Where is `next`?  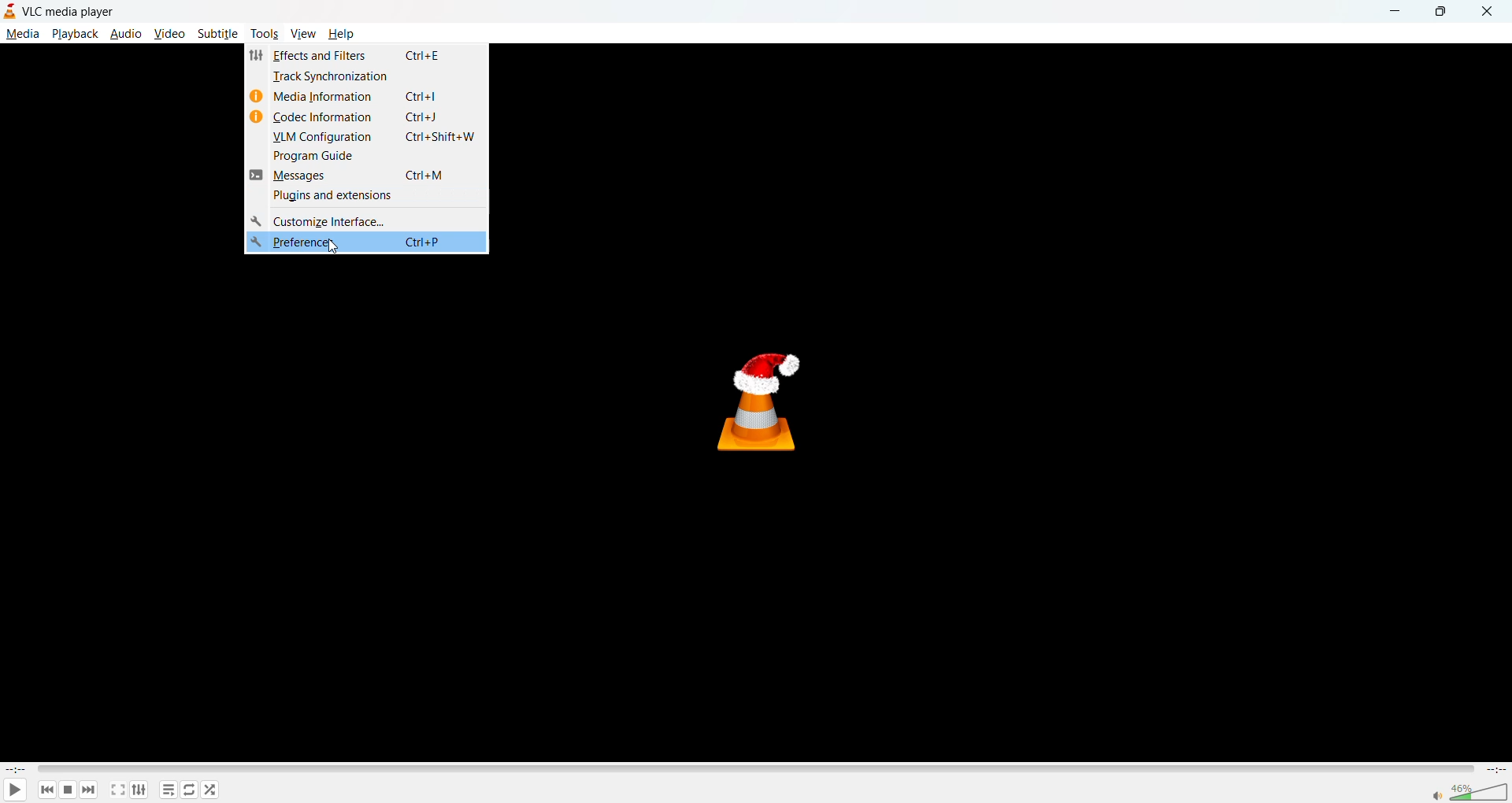 next is located at coordinates (86, 790).